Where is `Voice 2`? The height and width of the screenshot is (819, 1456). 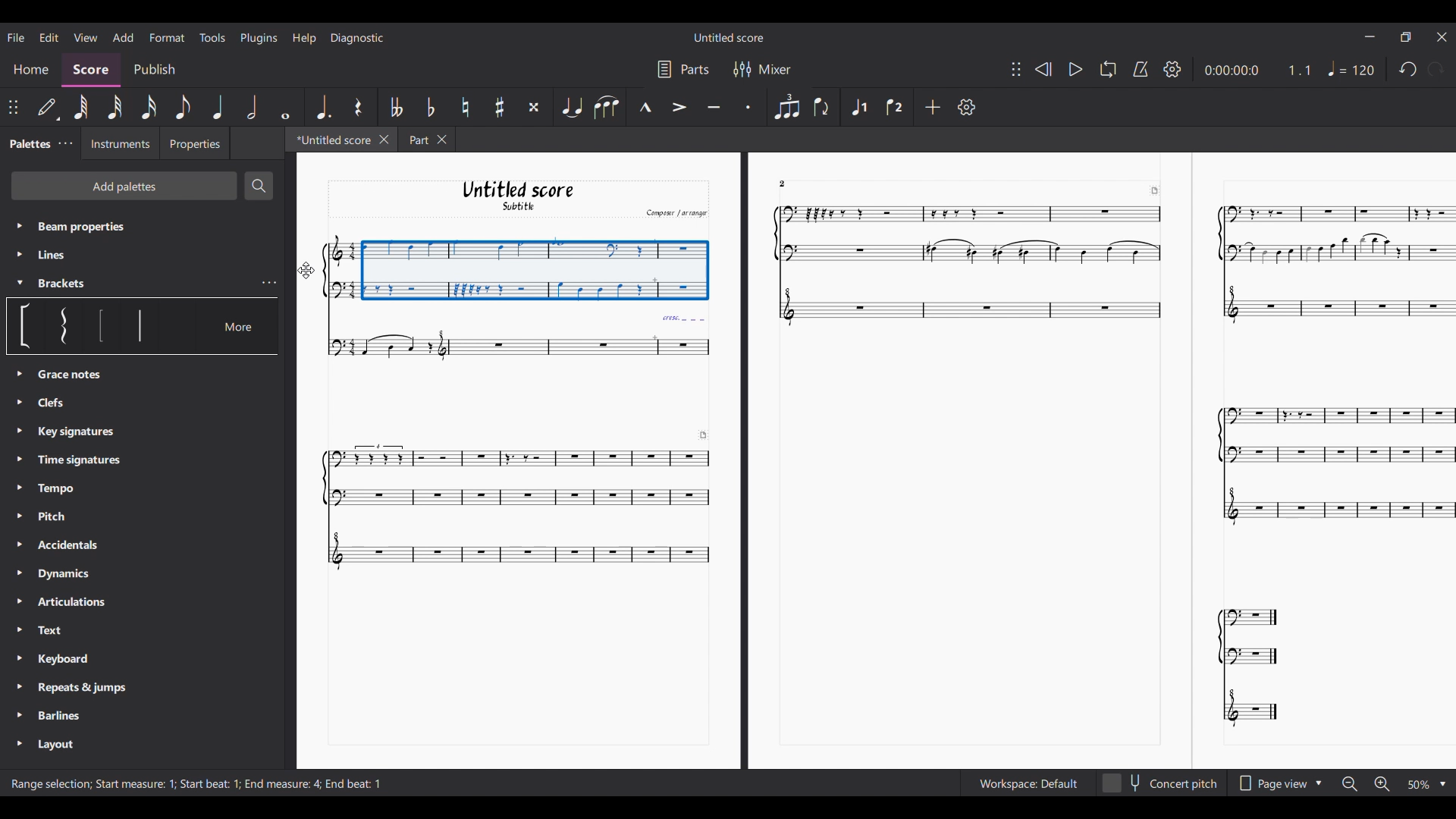
Voice 2 is located at coordinates (893, 107).